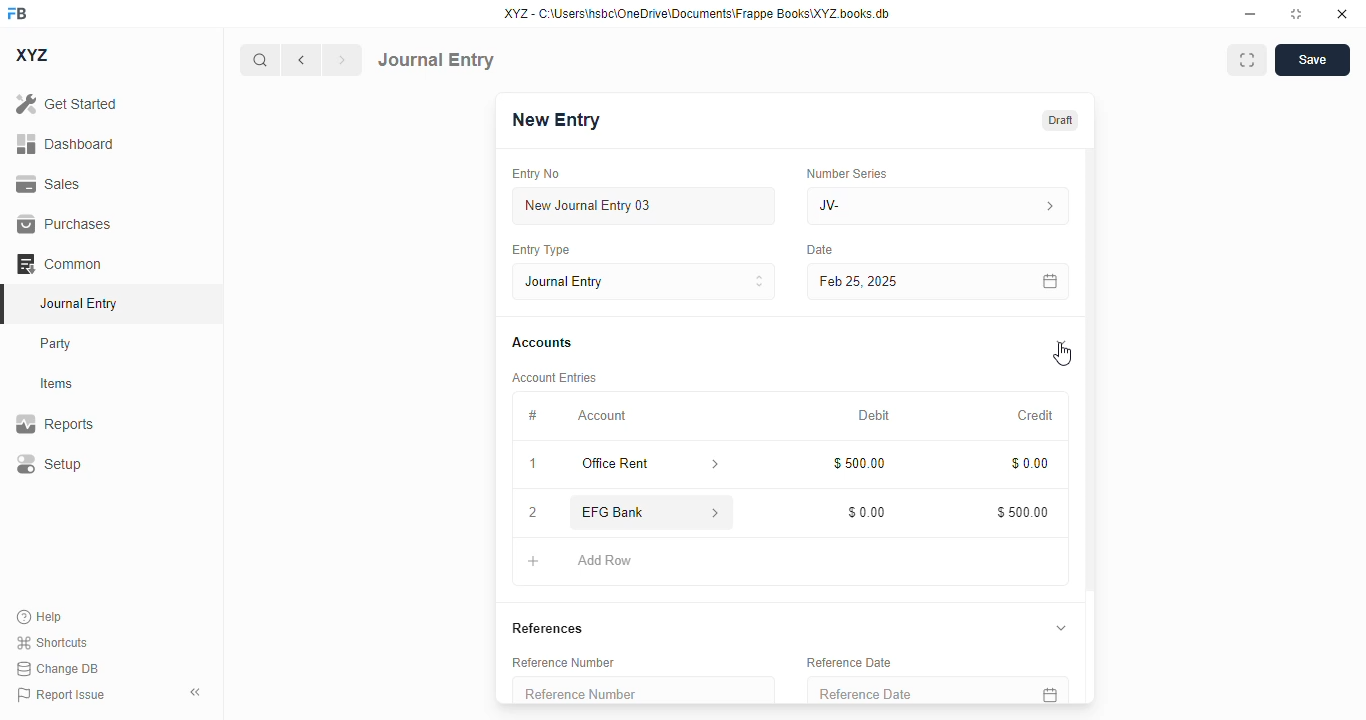 This screenshot has width=1366, height=720. Describe the element at coordinates (1060, 627) in the screenshot. I see `toggle expand/collapse` at that location.